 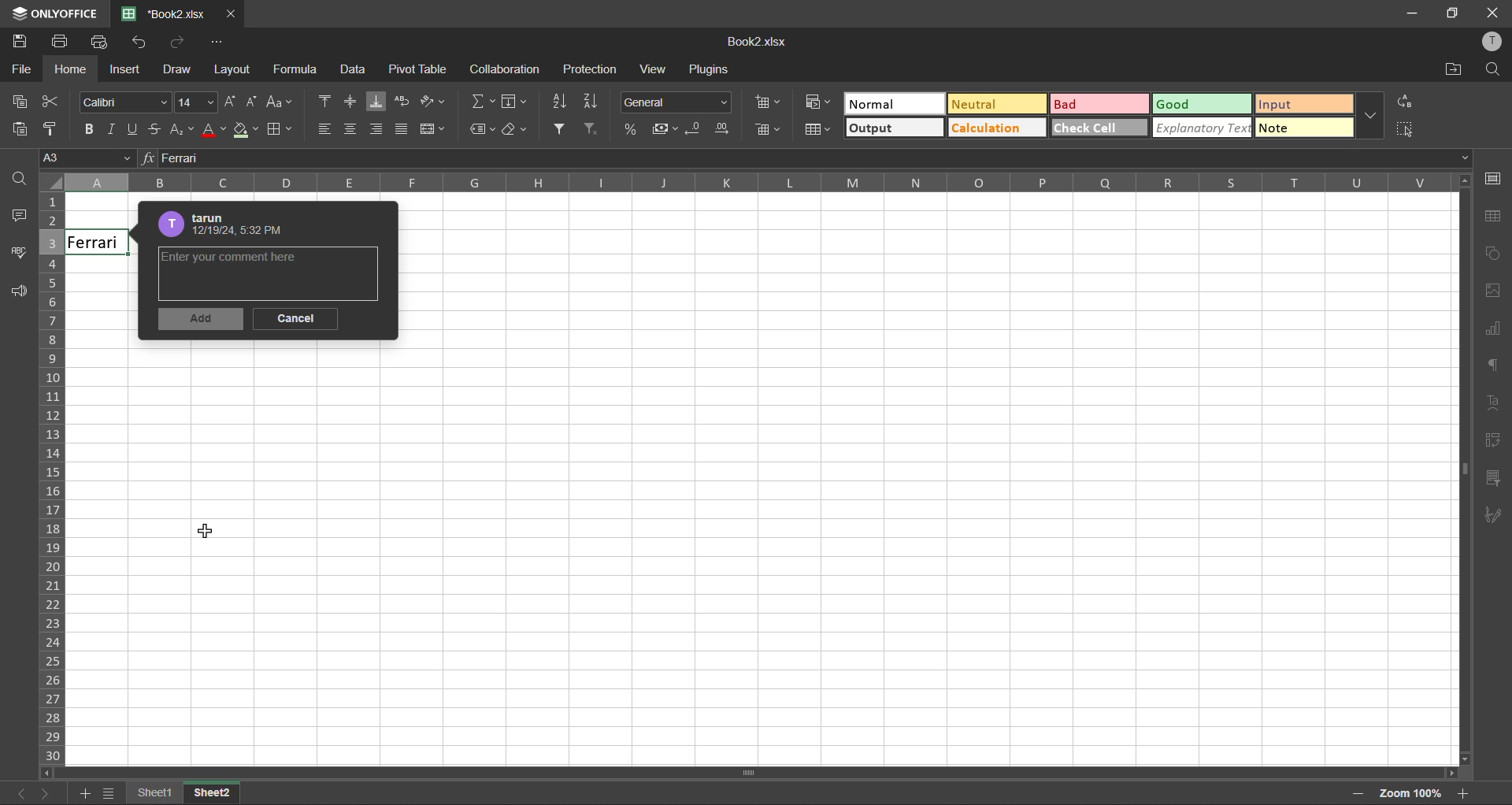 I want to click on cut, so click(x=54, y=101).